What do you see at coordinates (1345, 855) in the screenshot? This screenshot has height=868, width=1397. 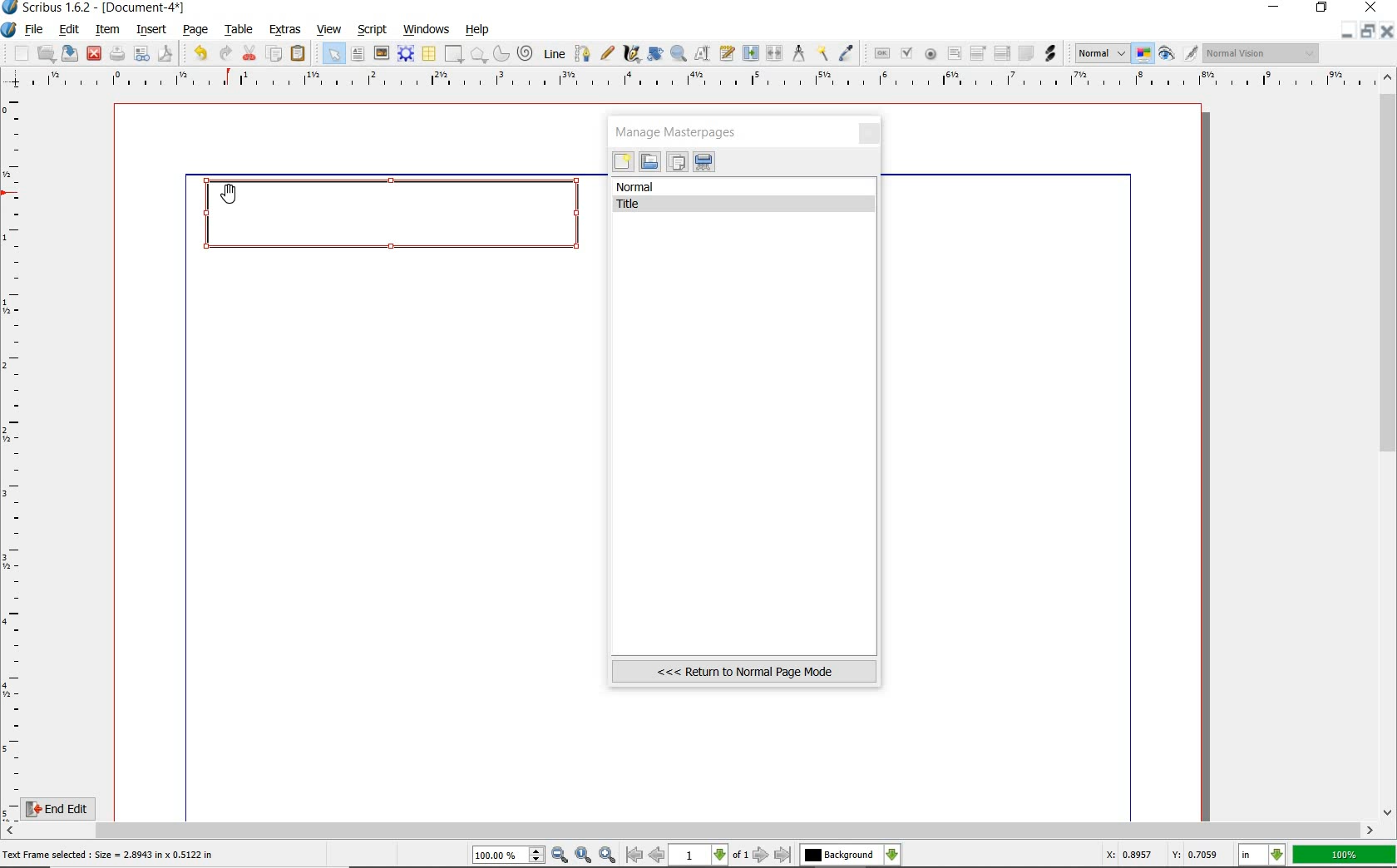 I see `100%` at bounding box center [1345, 855].